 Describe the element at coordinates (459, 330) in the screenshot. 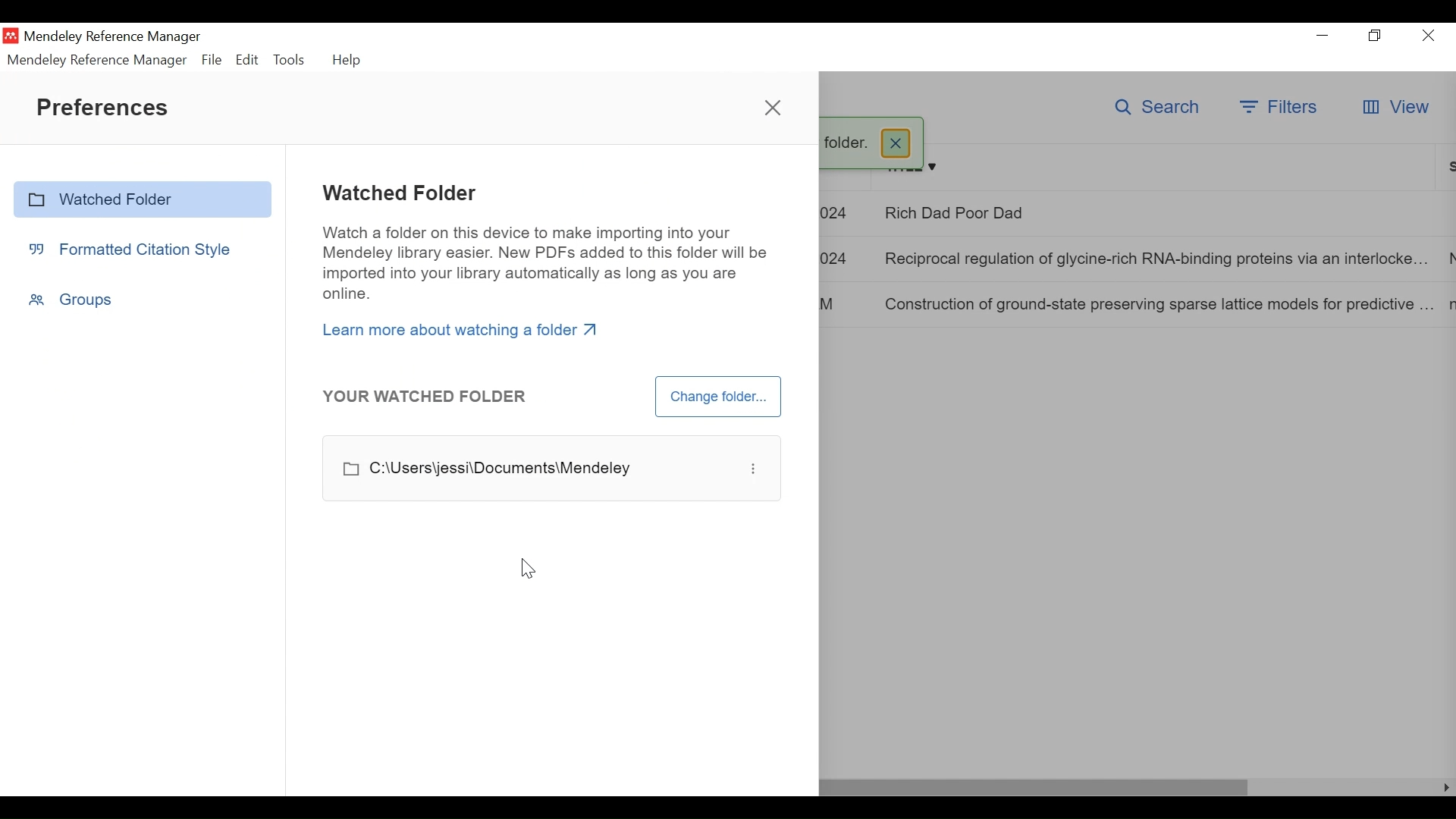

I see `Learn more about watching a folder` at that location.